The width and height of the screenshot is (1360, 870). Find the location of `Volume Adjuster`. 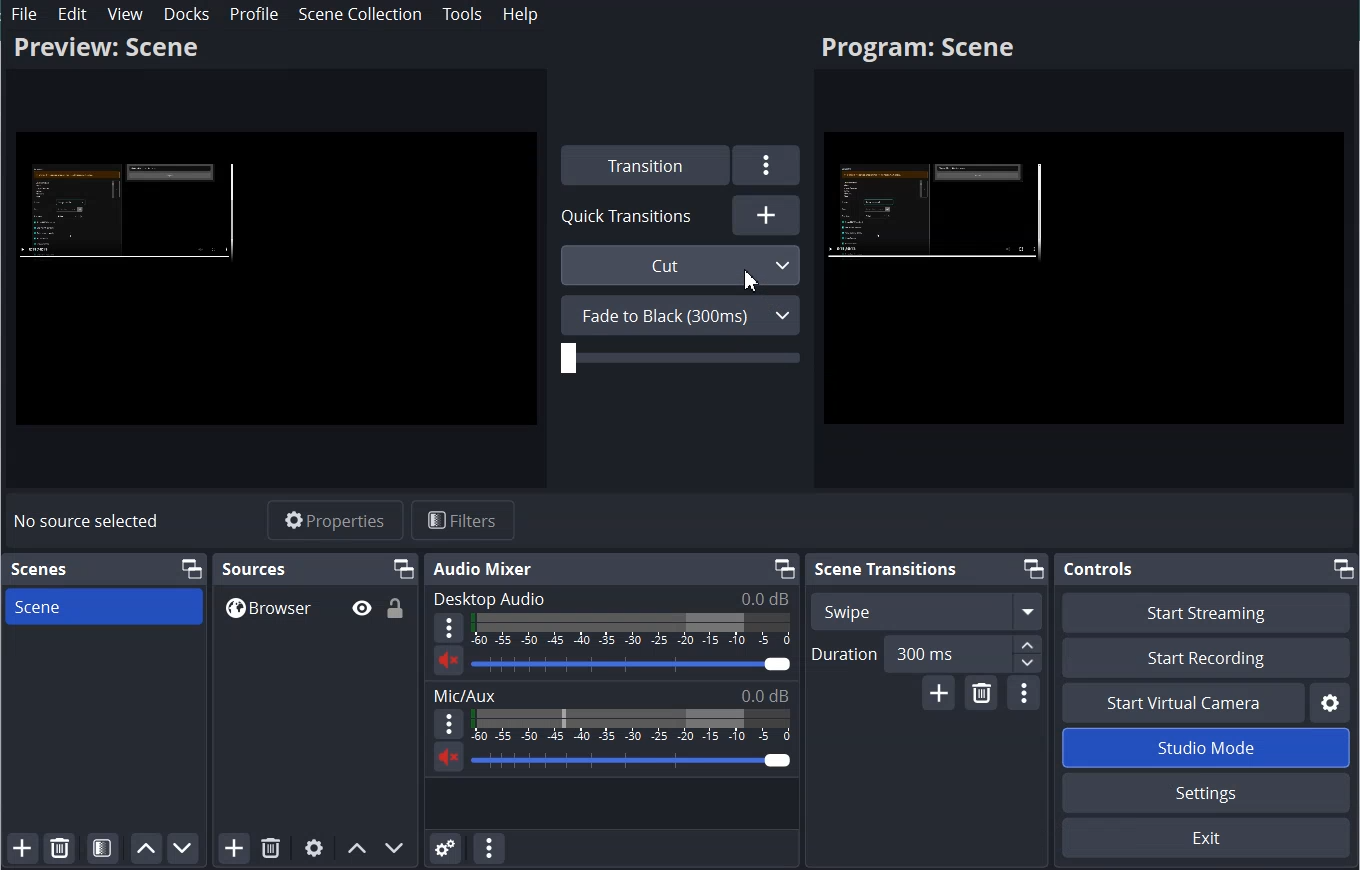

Volume Adjuster is located at coordinates (630, 664).